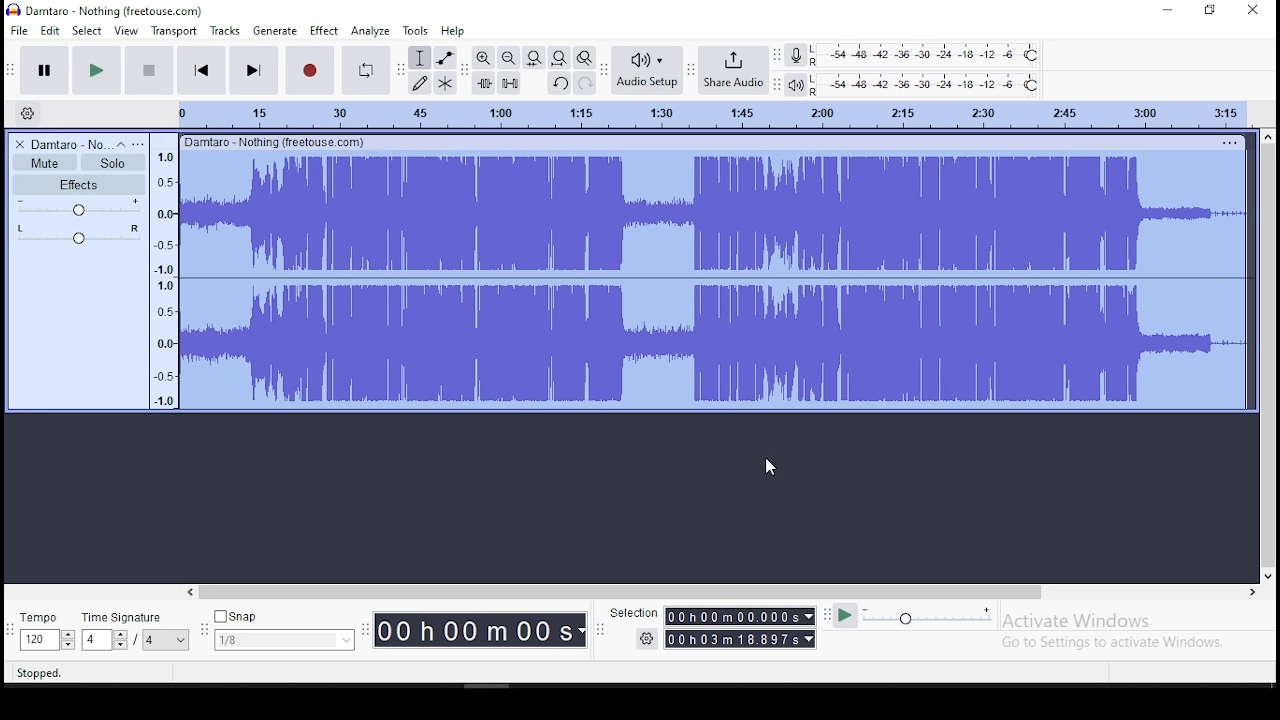  I want to click on track options, so click(1227, 142).